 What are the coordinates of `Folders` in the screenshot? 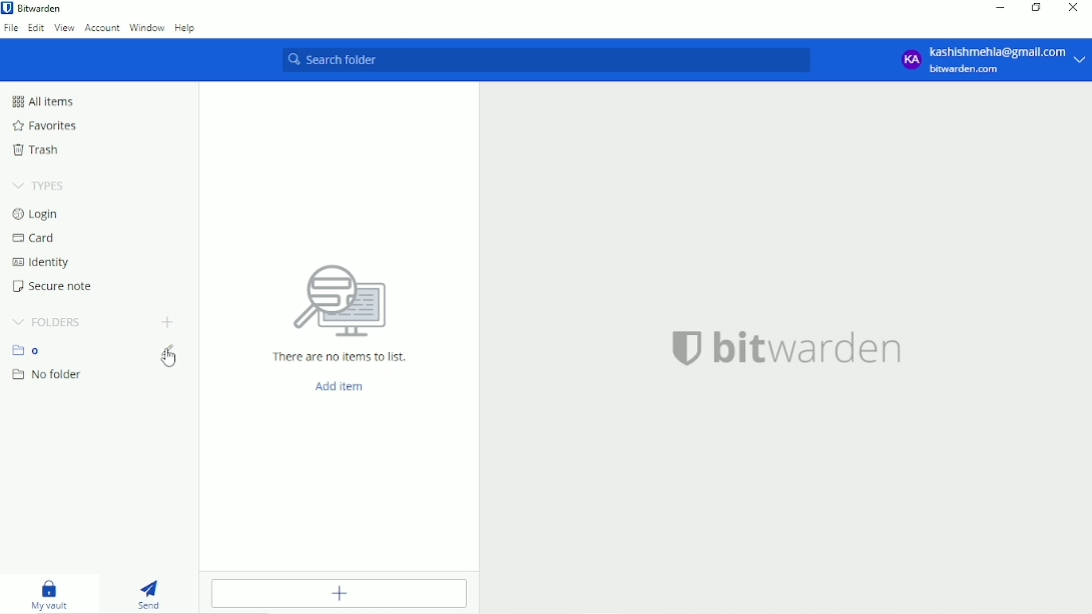 It's located at (46, 322).